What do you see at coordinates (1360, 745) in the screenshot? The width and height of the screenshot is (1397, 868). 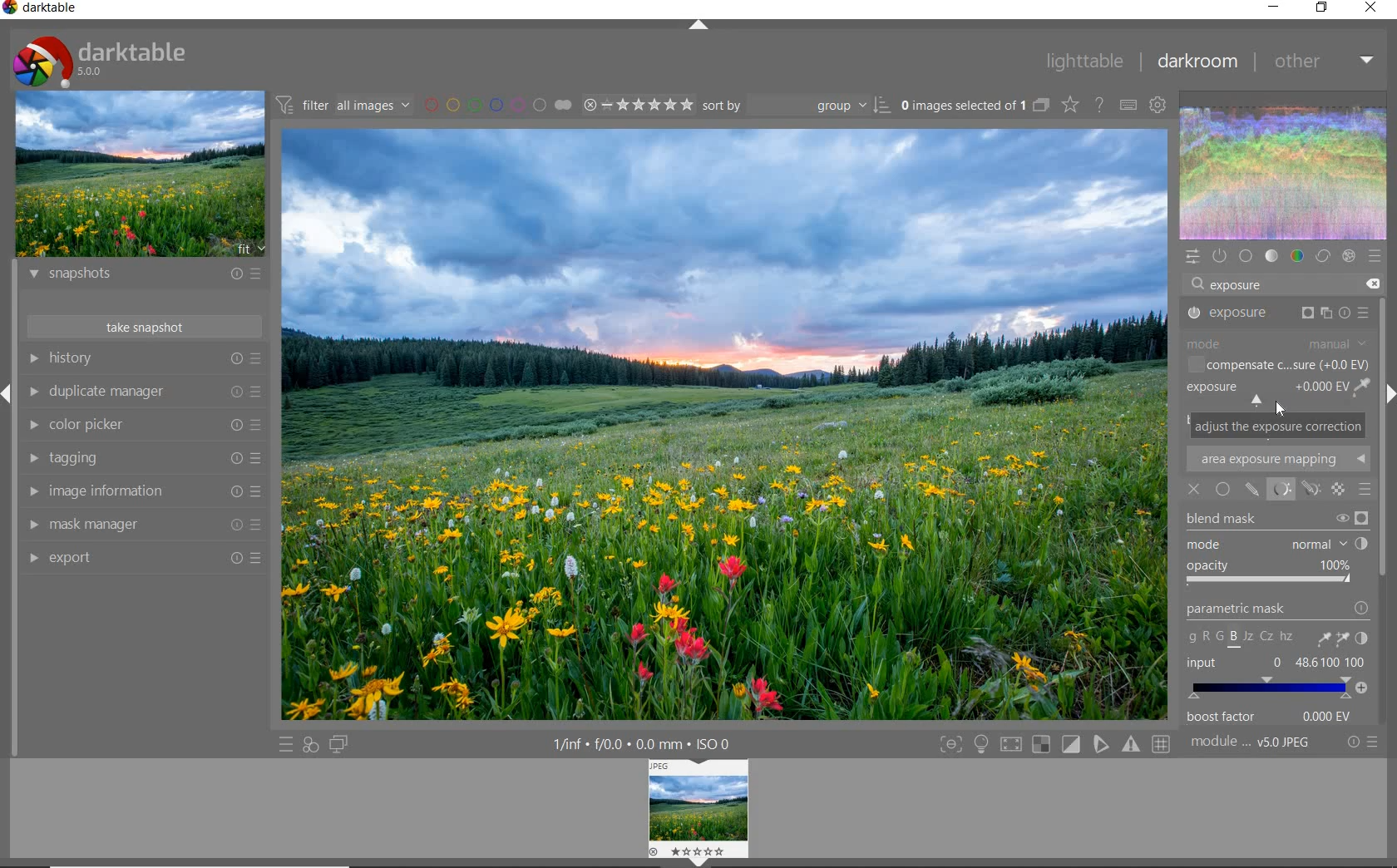 I see `reset or presets & preferences` at bounding box center [1360, 745].